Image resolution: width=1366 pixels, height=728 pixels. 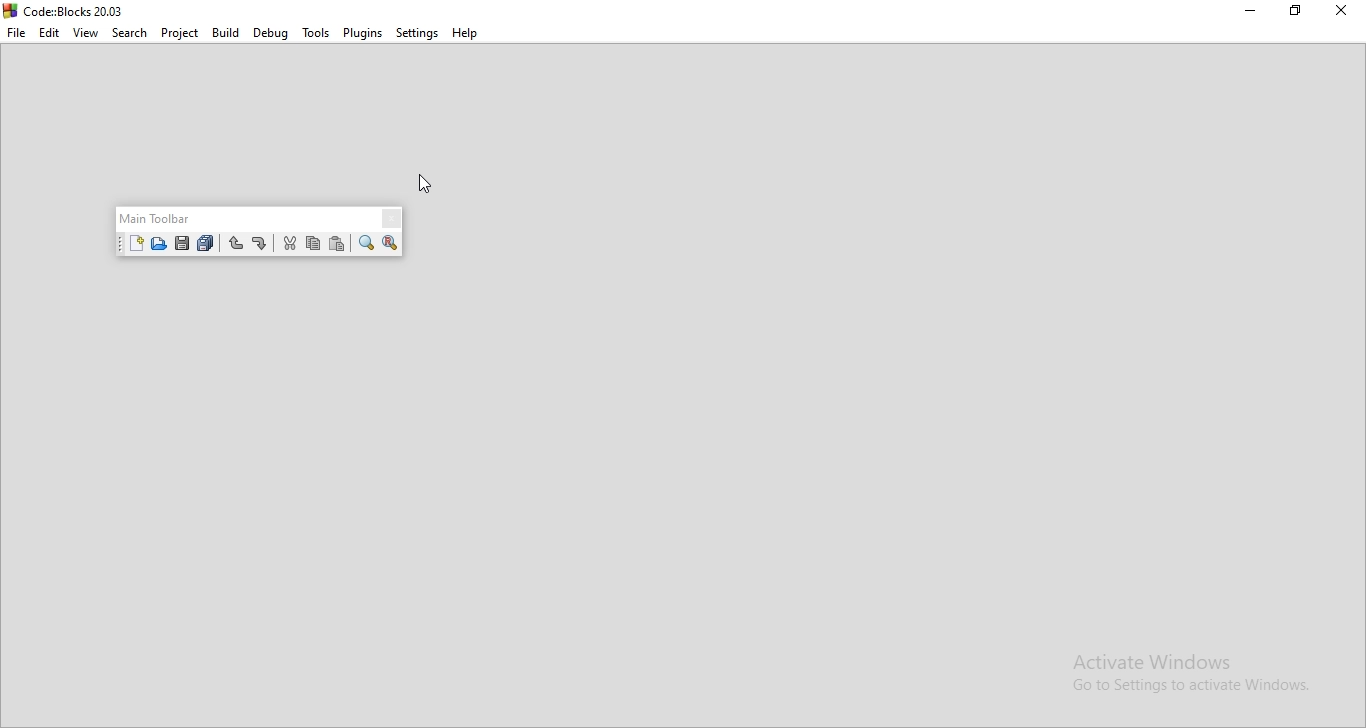 What do you see at coordinates (232, 245) in the screenshot?
I see `undo` at bounding box center [232, 245].